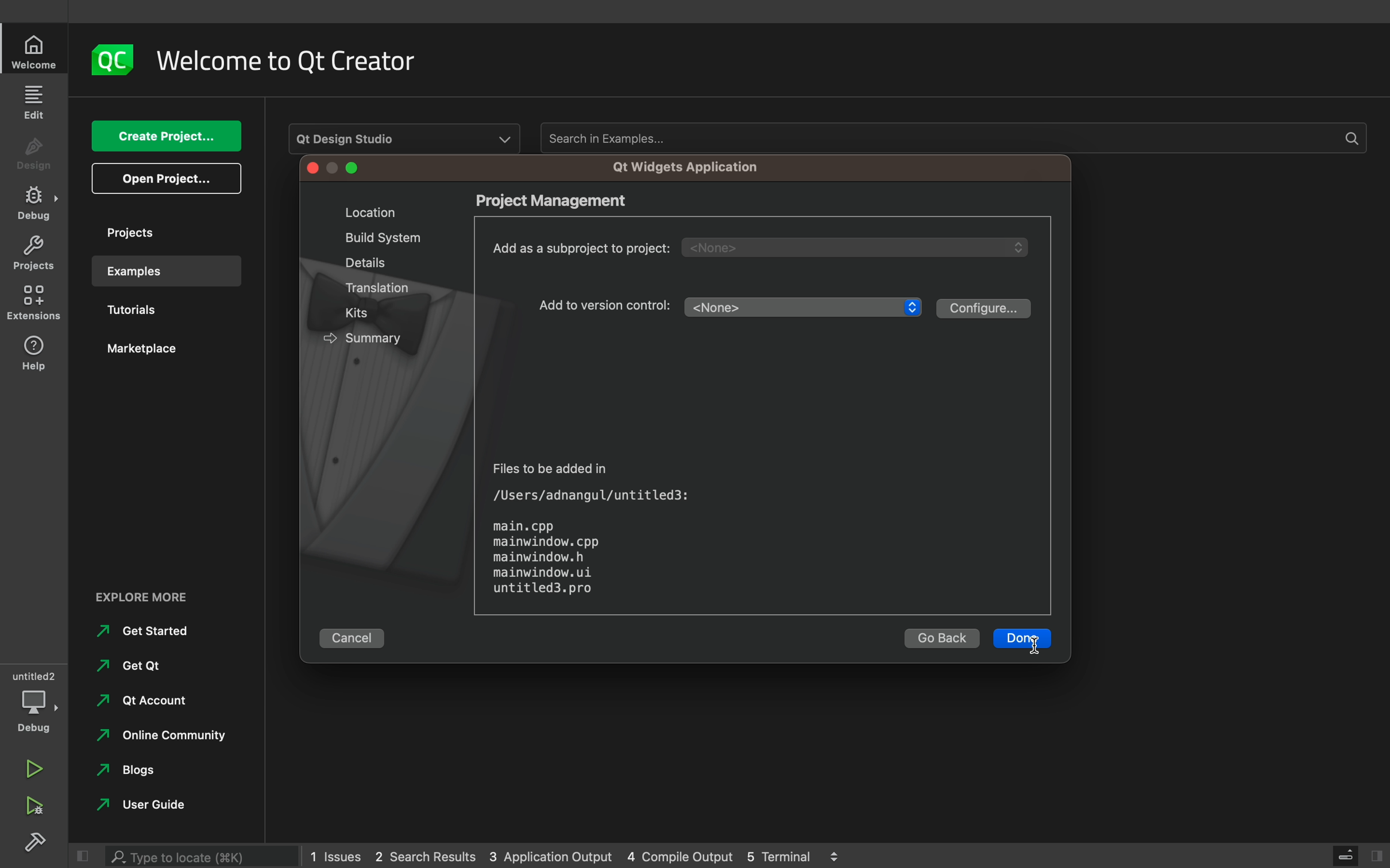 The image size is (1390, 868). Describe the element at coordinates (335, 854) in the screenshot. I see `1 issues` at that location.